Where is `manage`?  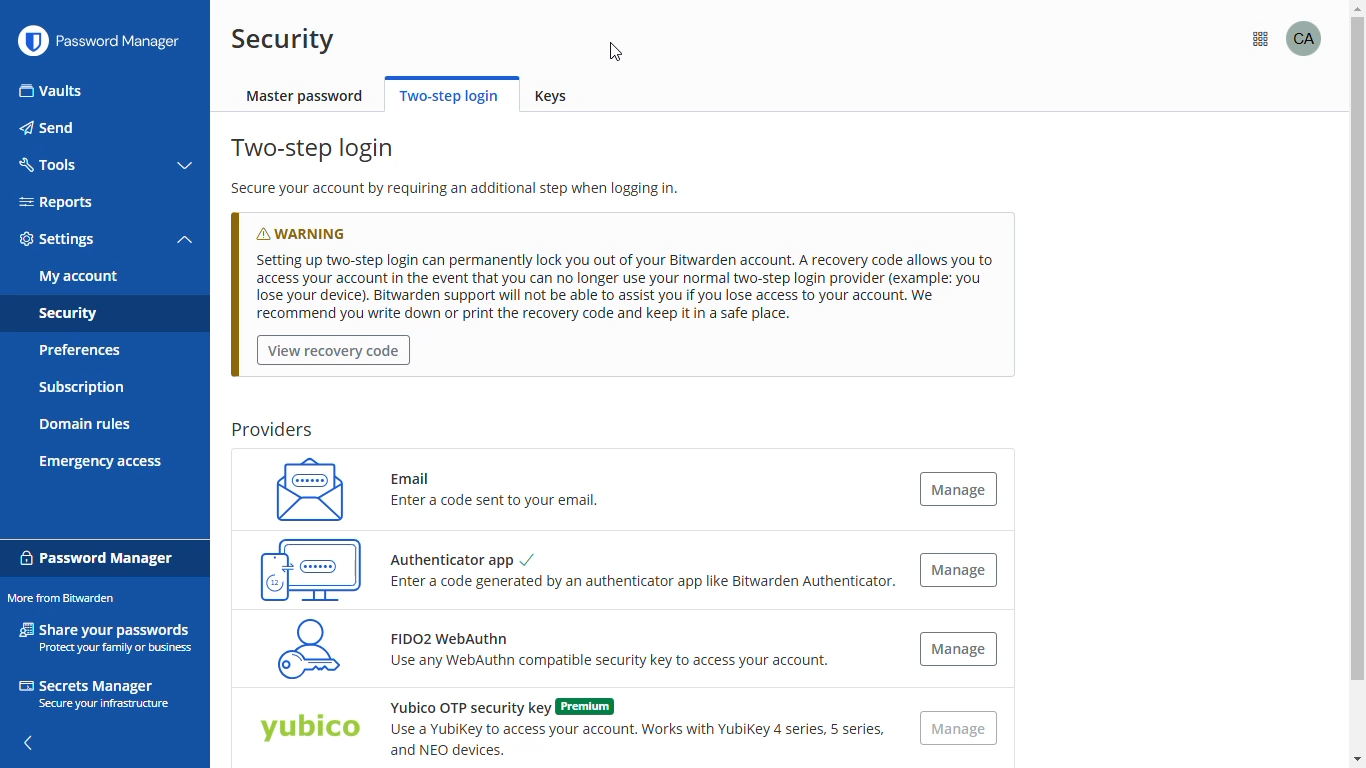 manage is located at coordinates (957, 488).